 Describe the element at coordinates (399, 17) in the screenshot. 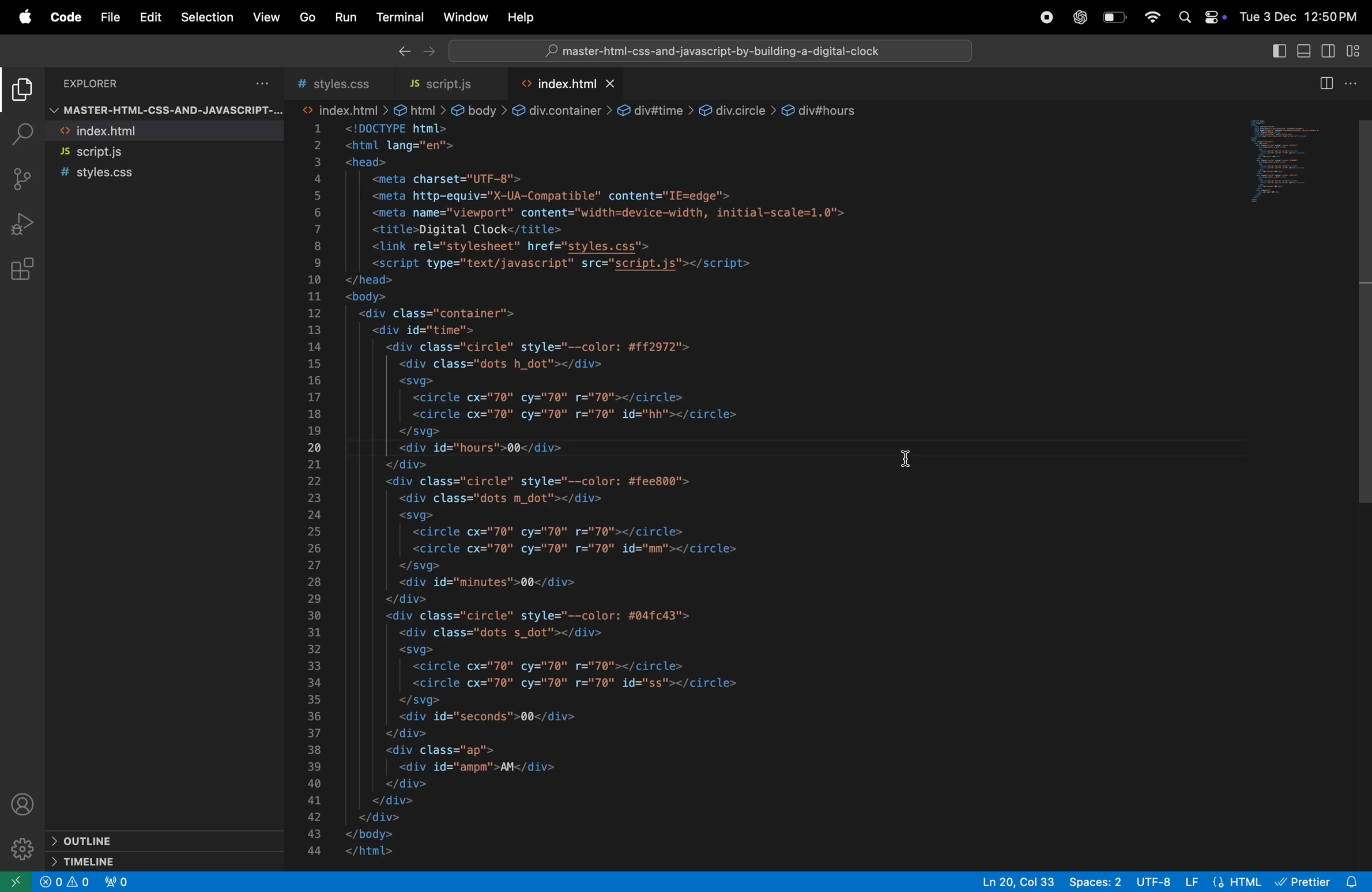

I see `terminal` at that location.